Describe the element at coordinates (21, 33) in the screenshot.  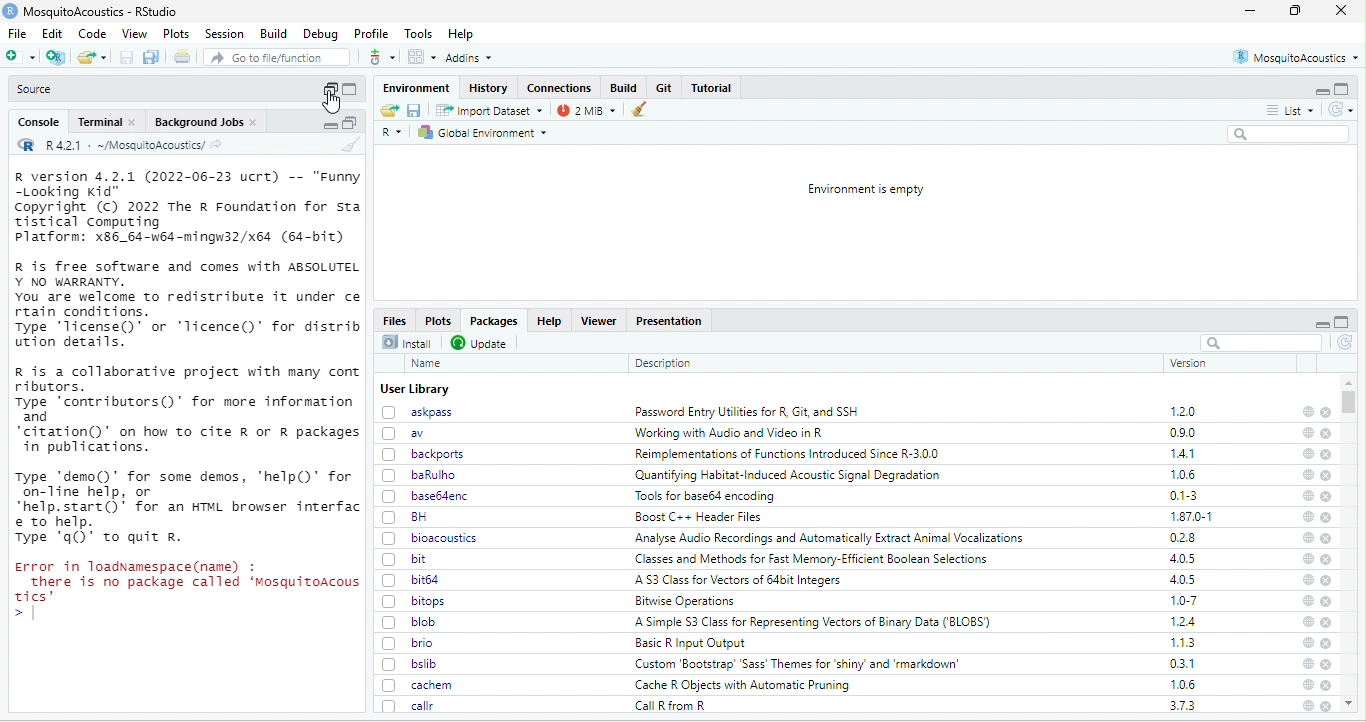
I see `File` at that location.